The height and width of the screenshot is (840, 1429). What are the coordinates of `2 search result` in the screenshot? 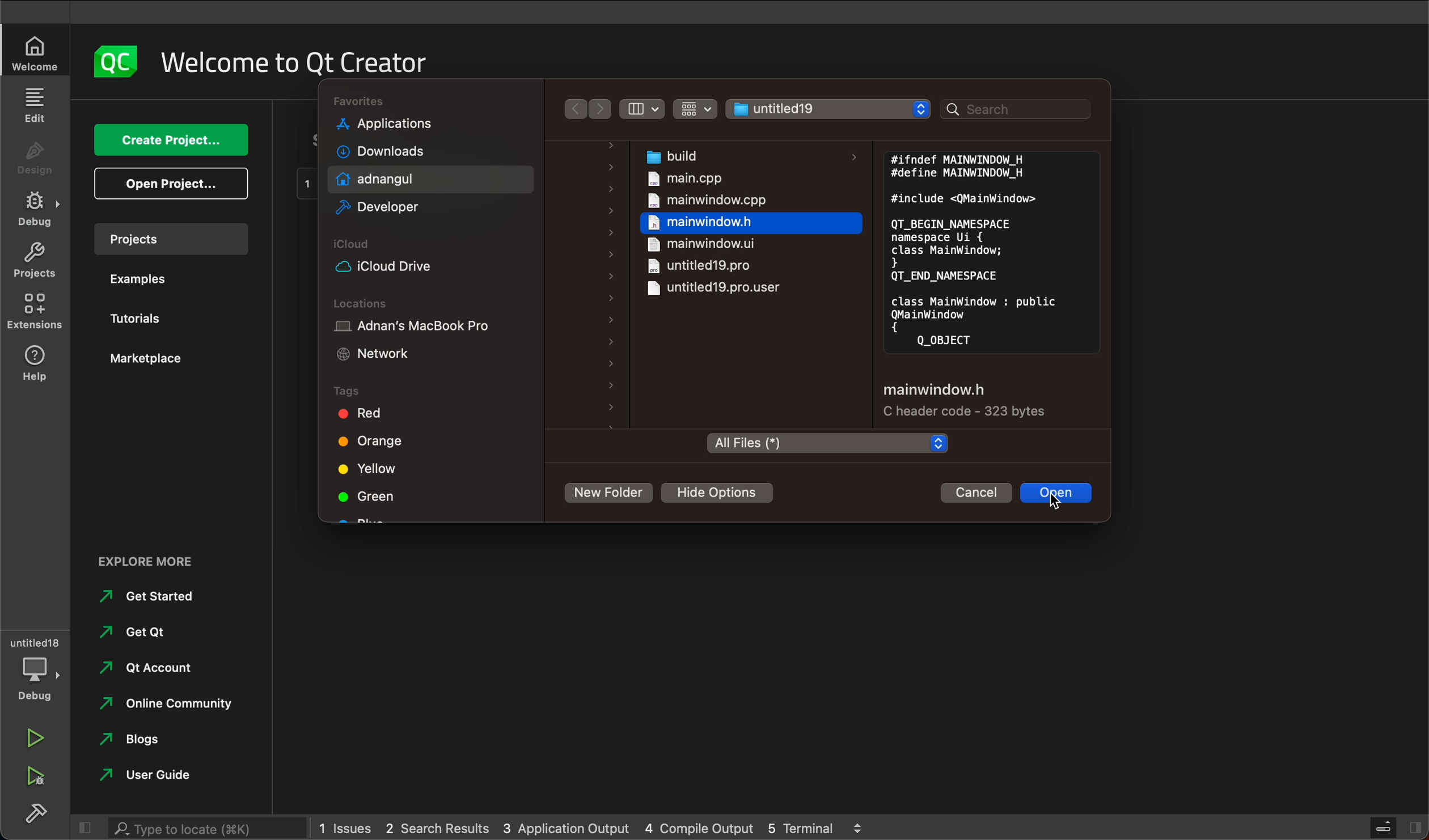 It's located at (442, 829).